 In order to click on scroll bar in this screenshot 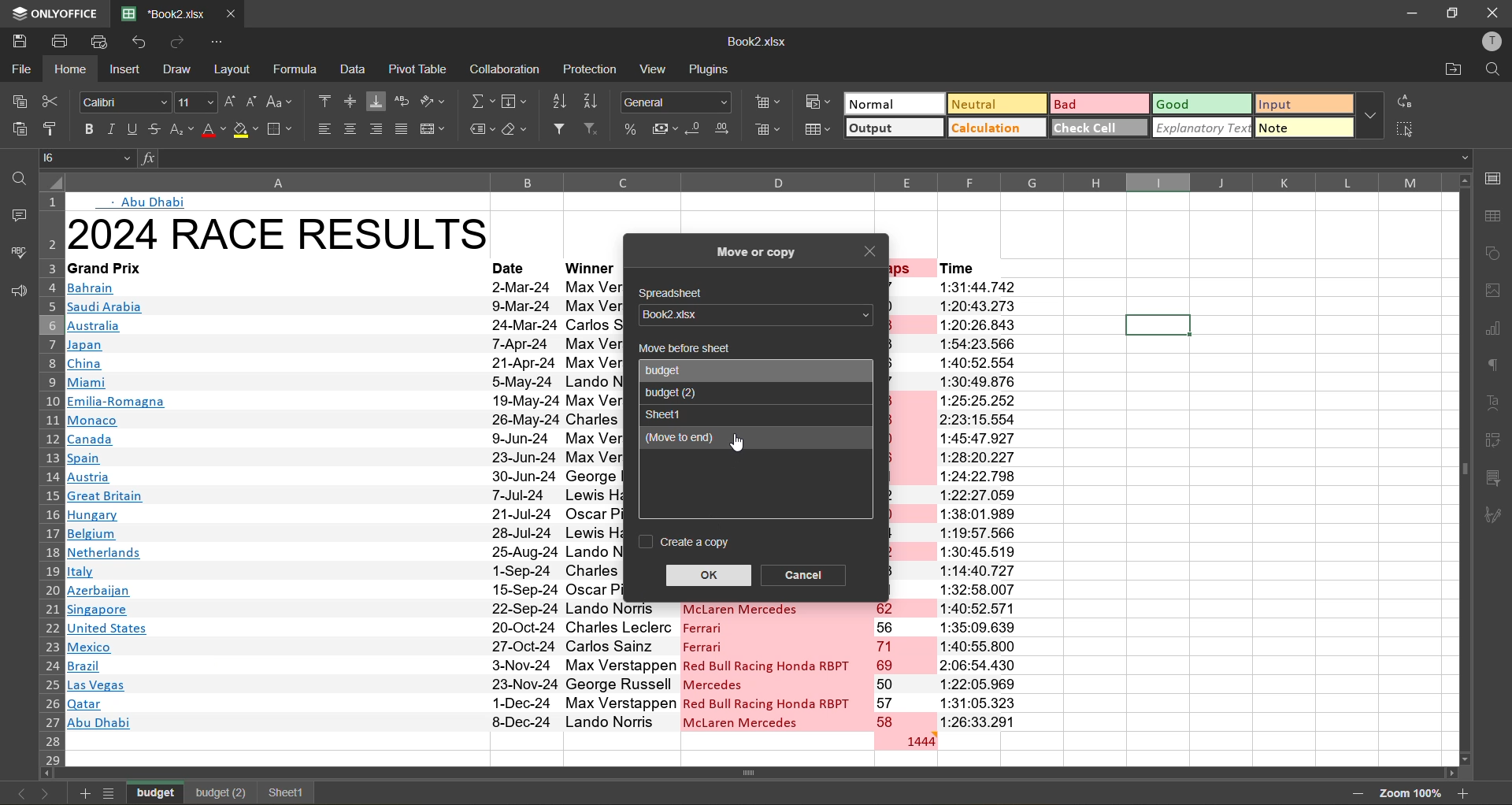, I will do `click(786, 774)`.